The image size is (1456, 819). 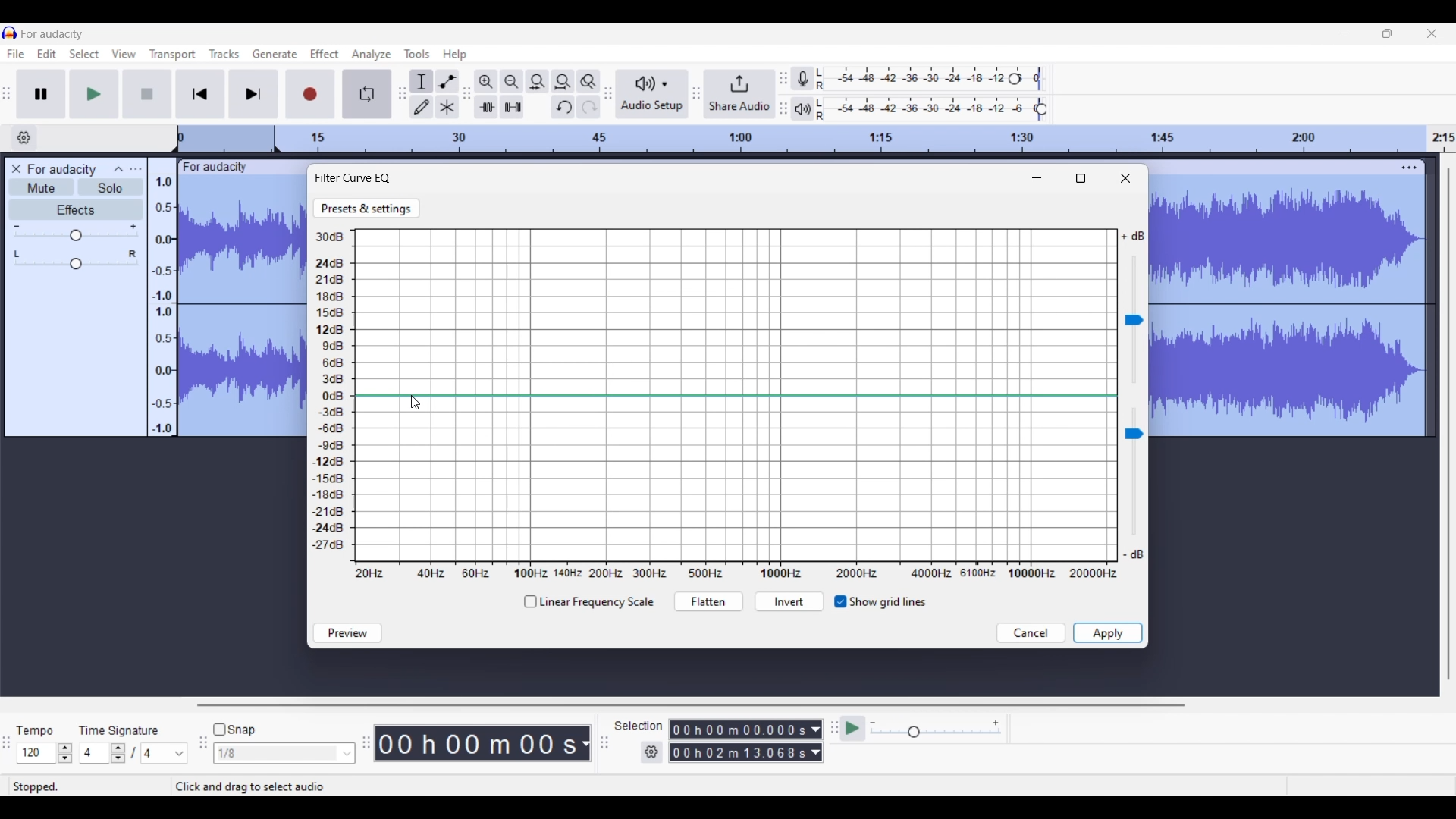 I want to click on Show interface in a smaller tab, so click(x=1387, y=33).